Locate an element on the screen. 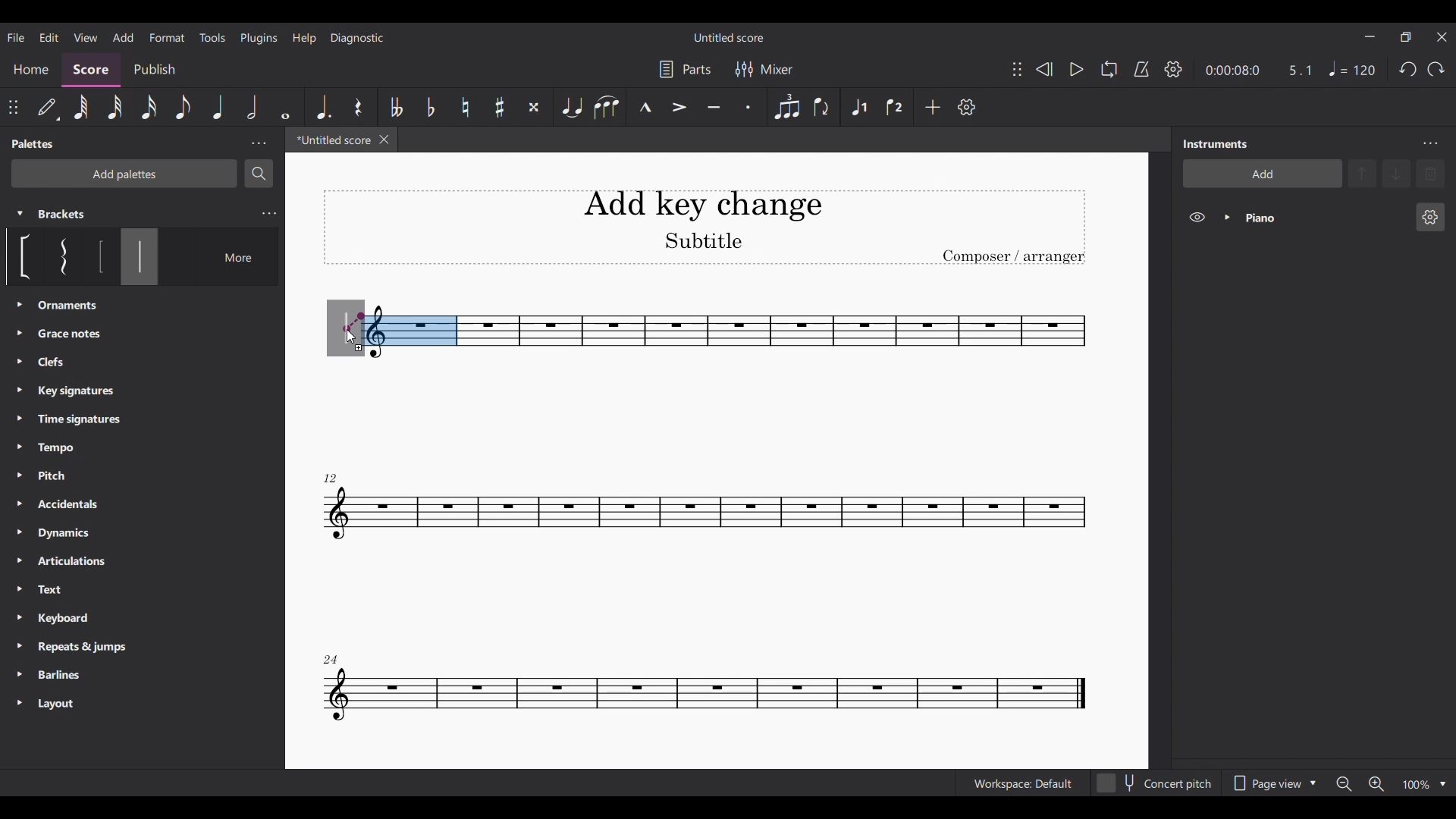  Title, sub-title, and composer name is located at coordinates (704, 227).